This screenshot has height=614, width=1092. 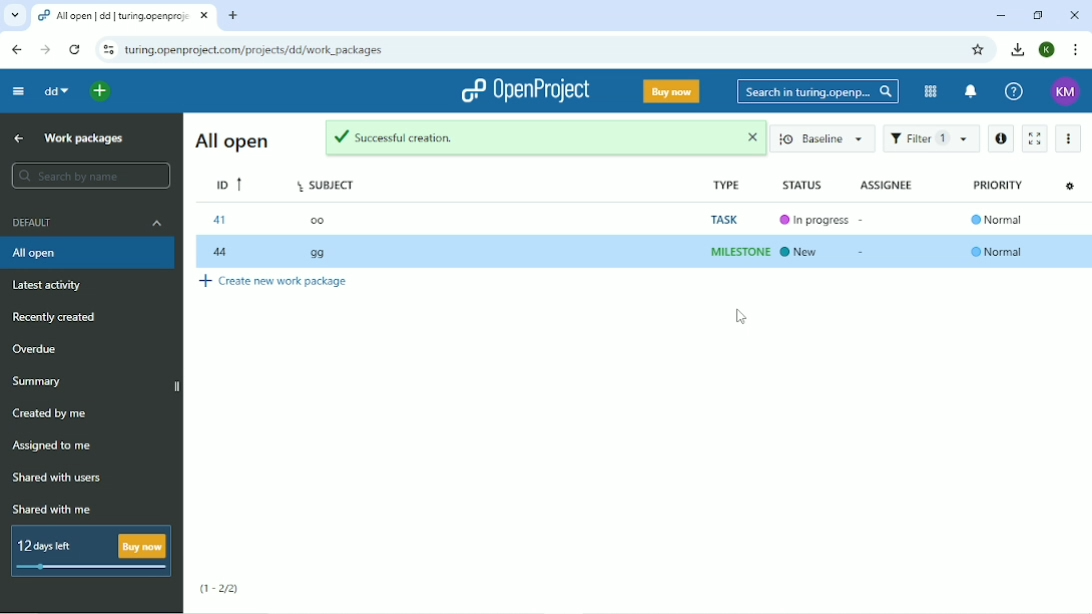 What do you see at coordinates (1070, 137) in the screenshot?
I see `More actions` at bounding box center [1070, 137].